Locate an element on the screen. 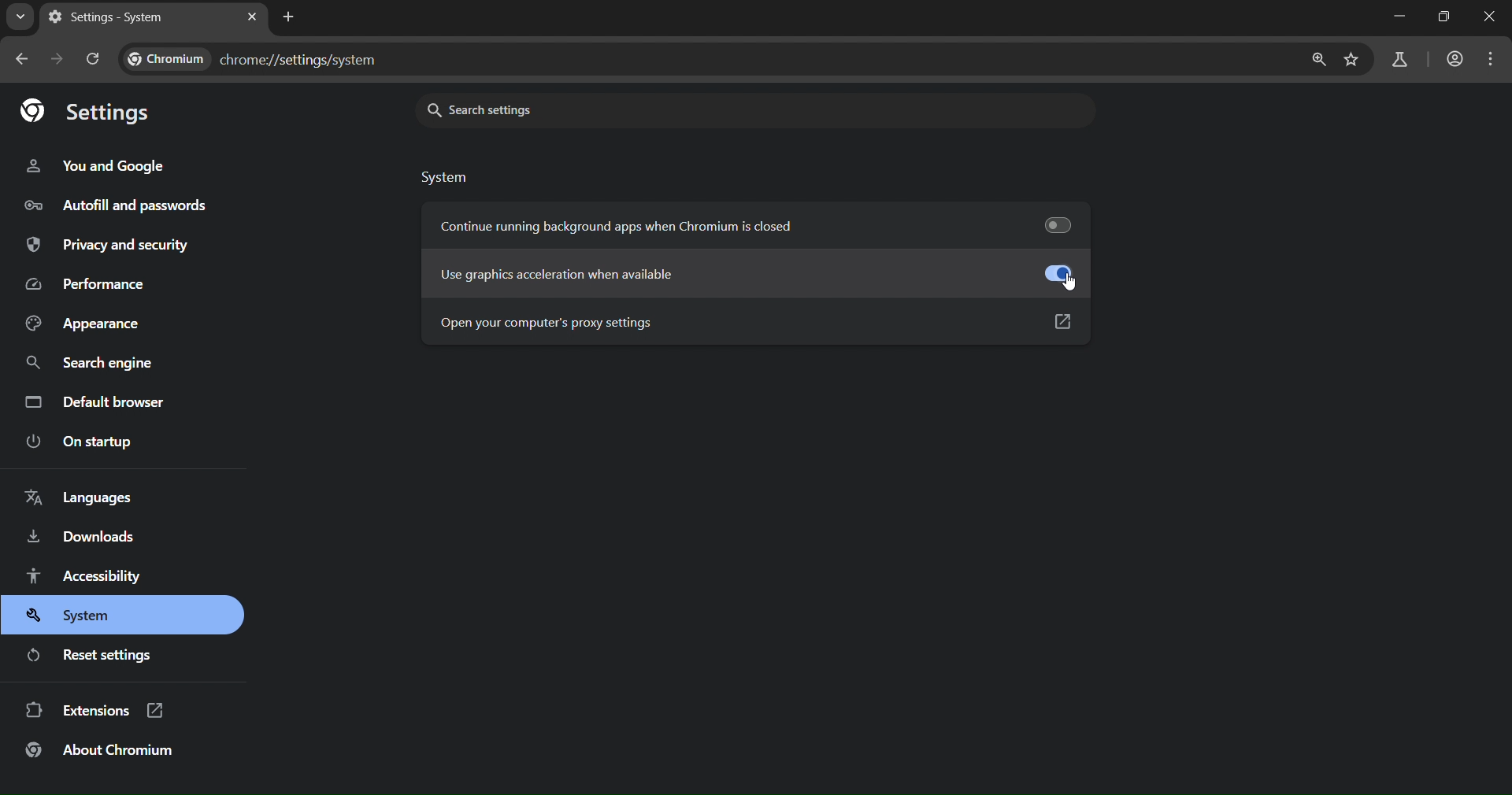 Image resolution: width=1512 pixels, height=795 pixels. accessibility is located at coordinates (90, 579).